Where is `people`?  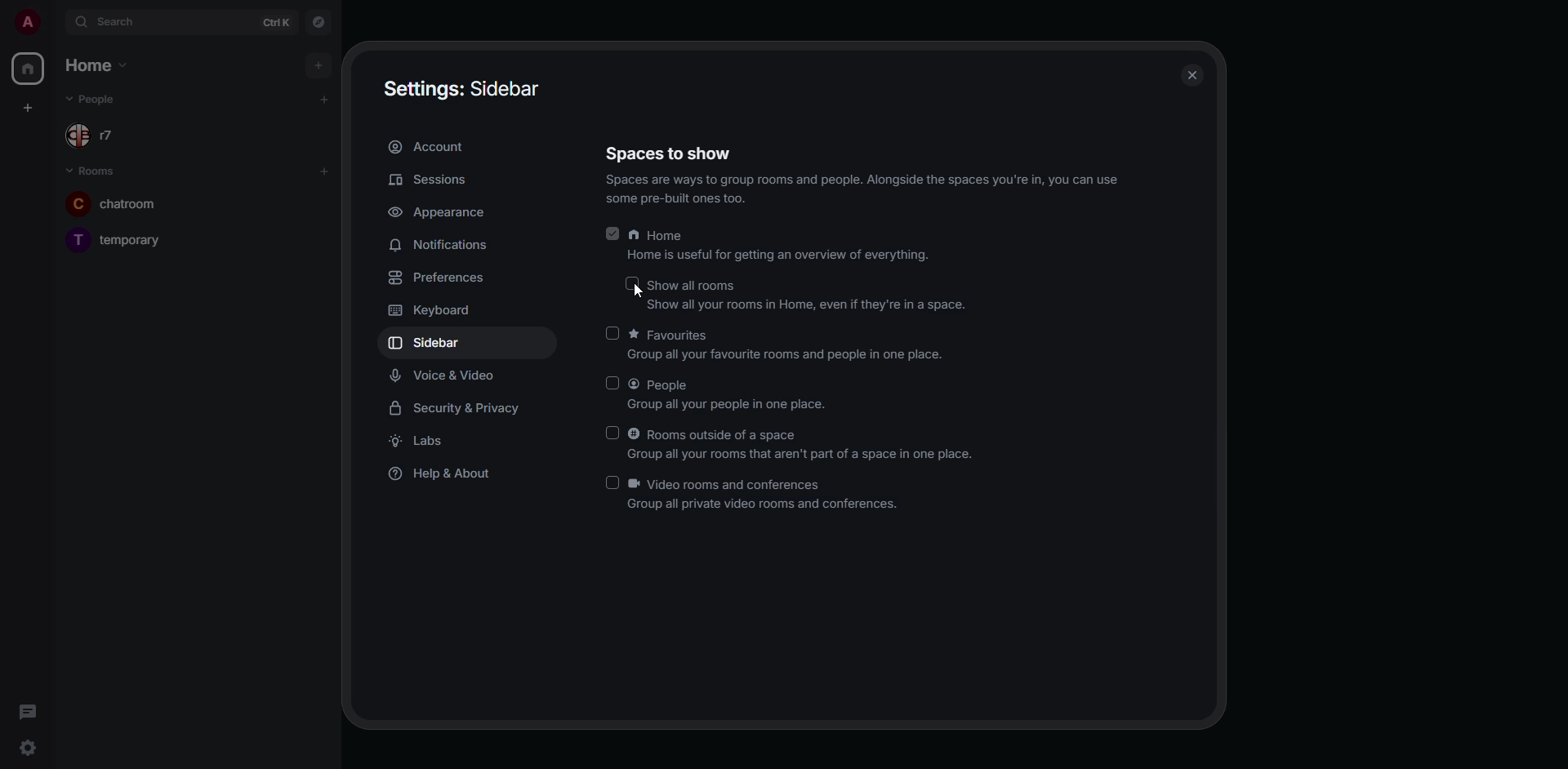
people is located at coordinates (105, 101).